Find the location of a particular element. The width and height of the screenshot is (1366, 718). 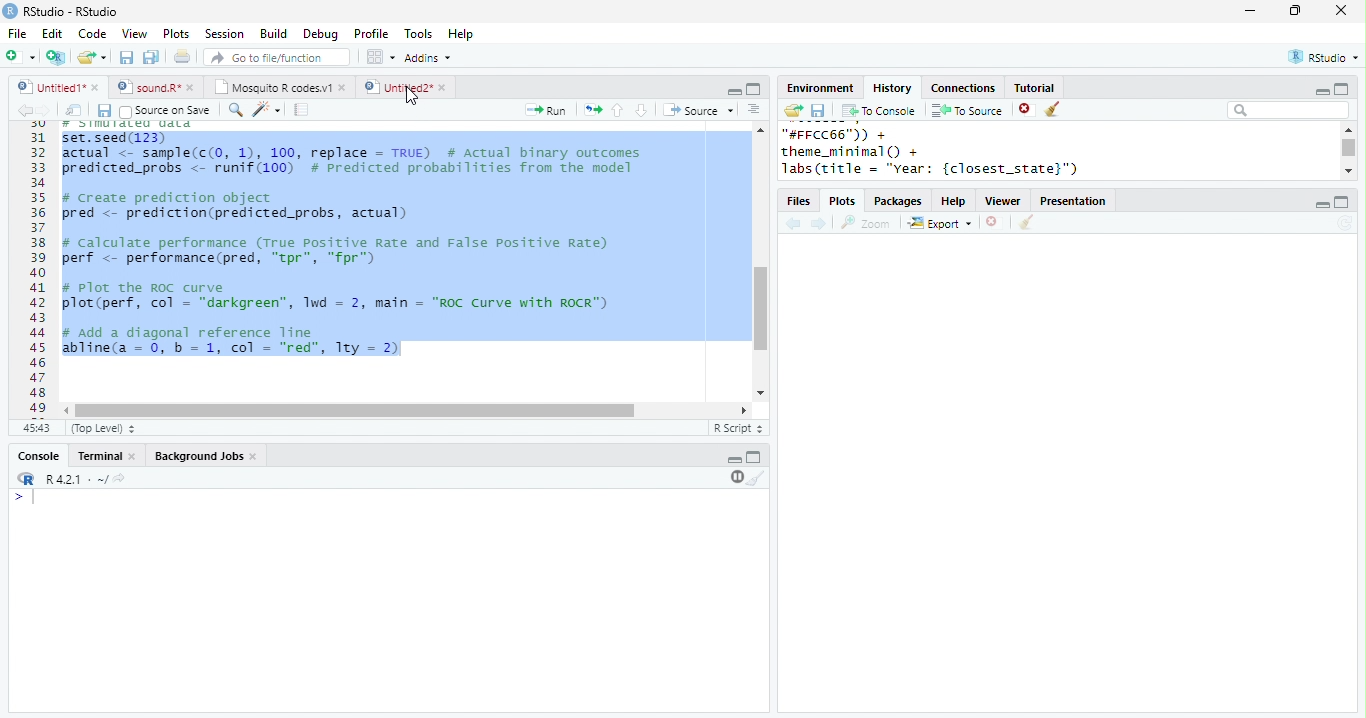

"#FFCC66")) +theme_minimal() +labs(title = "year: {closest_state}") is located at coordinates (955, 152).